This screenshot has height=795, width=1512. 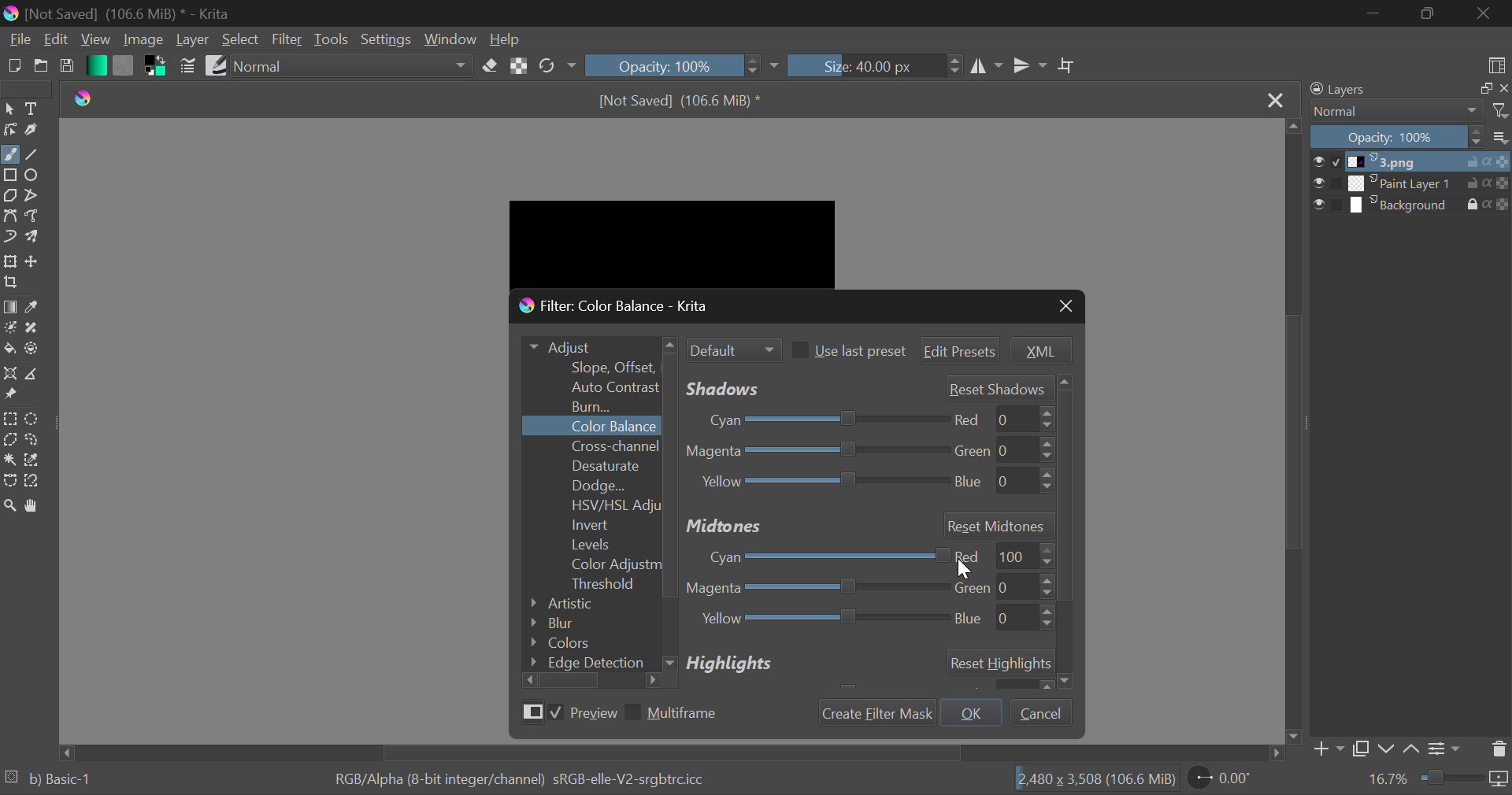 I want to click on Cancel, so click(x=1039, y=711).